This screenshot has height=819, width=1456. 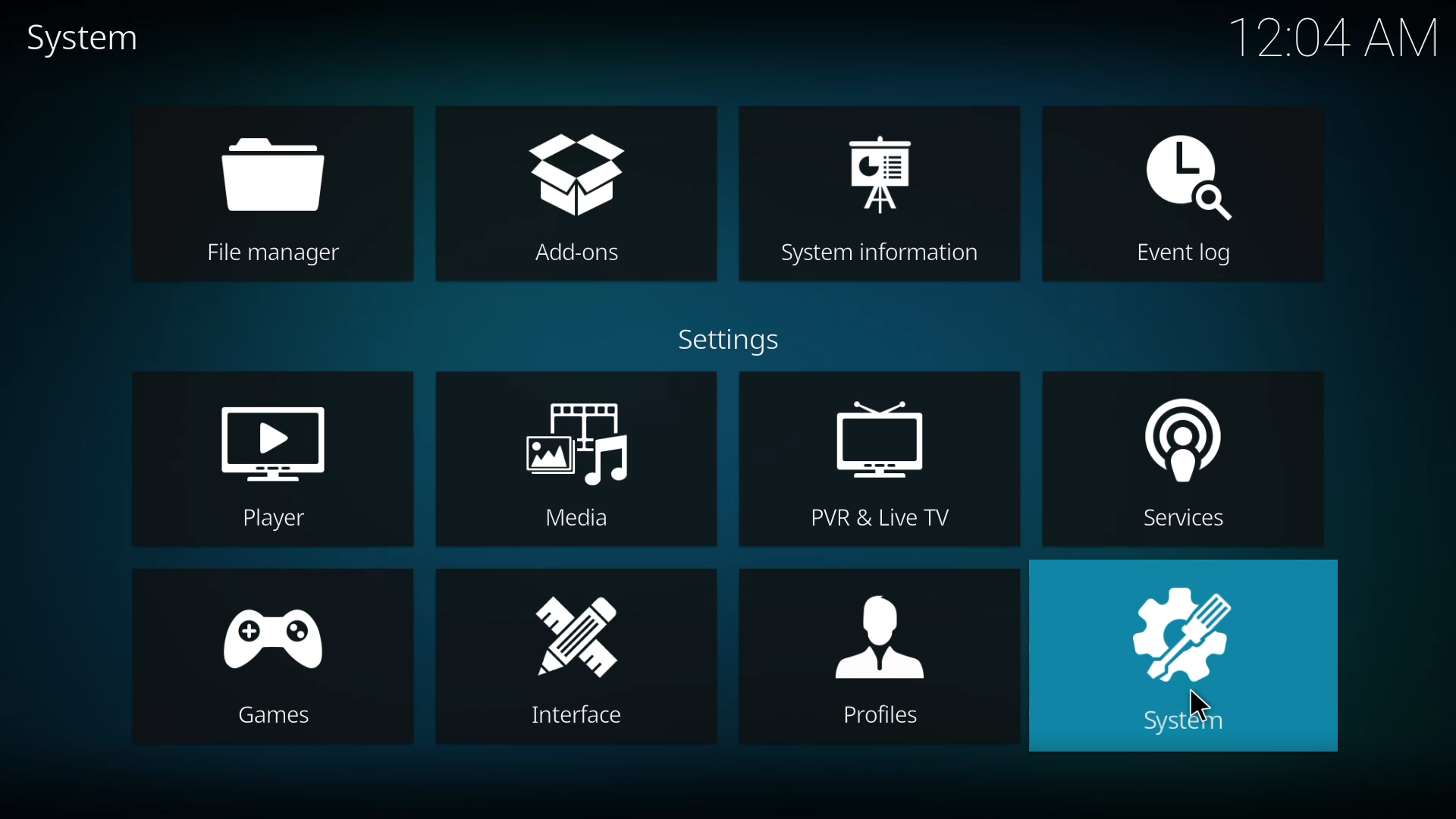 What do you see at coordinates (1188, 196) in the screenshot?
I see `event log` at bounding box center [1188, 196].